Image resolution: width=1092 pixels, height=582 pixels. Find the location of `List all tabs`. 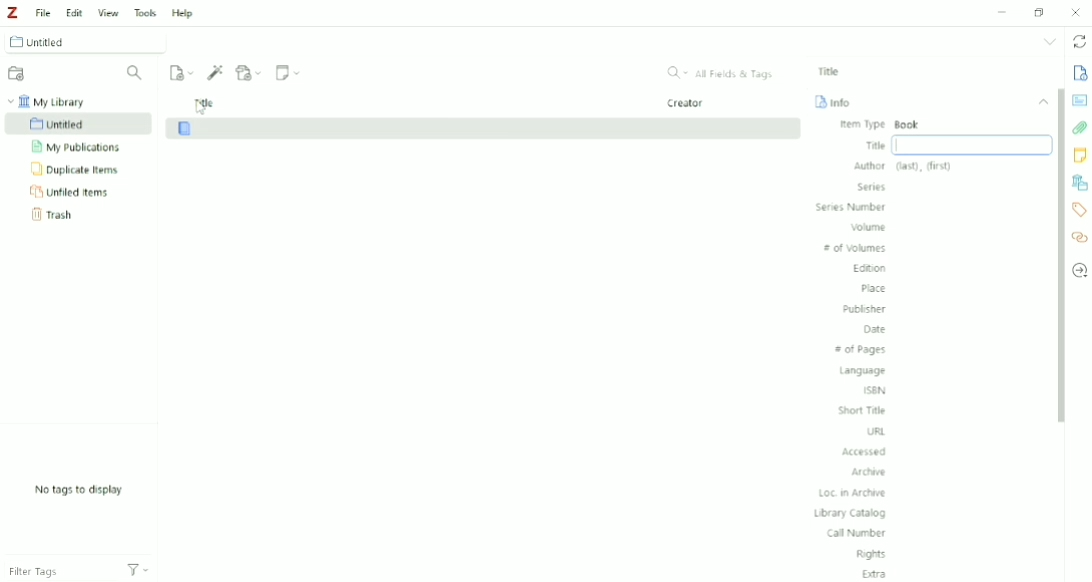

List all tabs is located at coordinates (1049, 42).